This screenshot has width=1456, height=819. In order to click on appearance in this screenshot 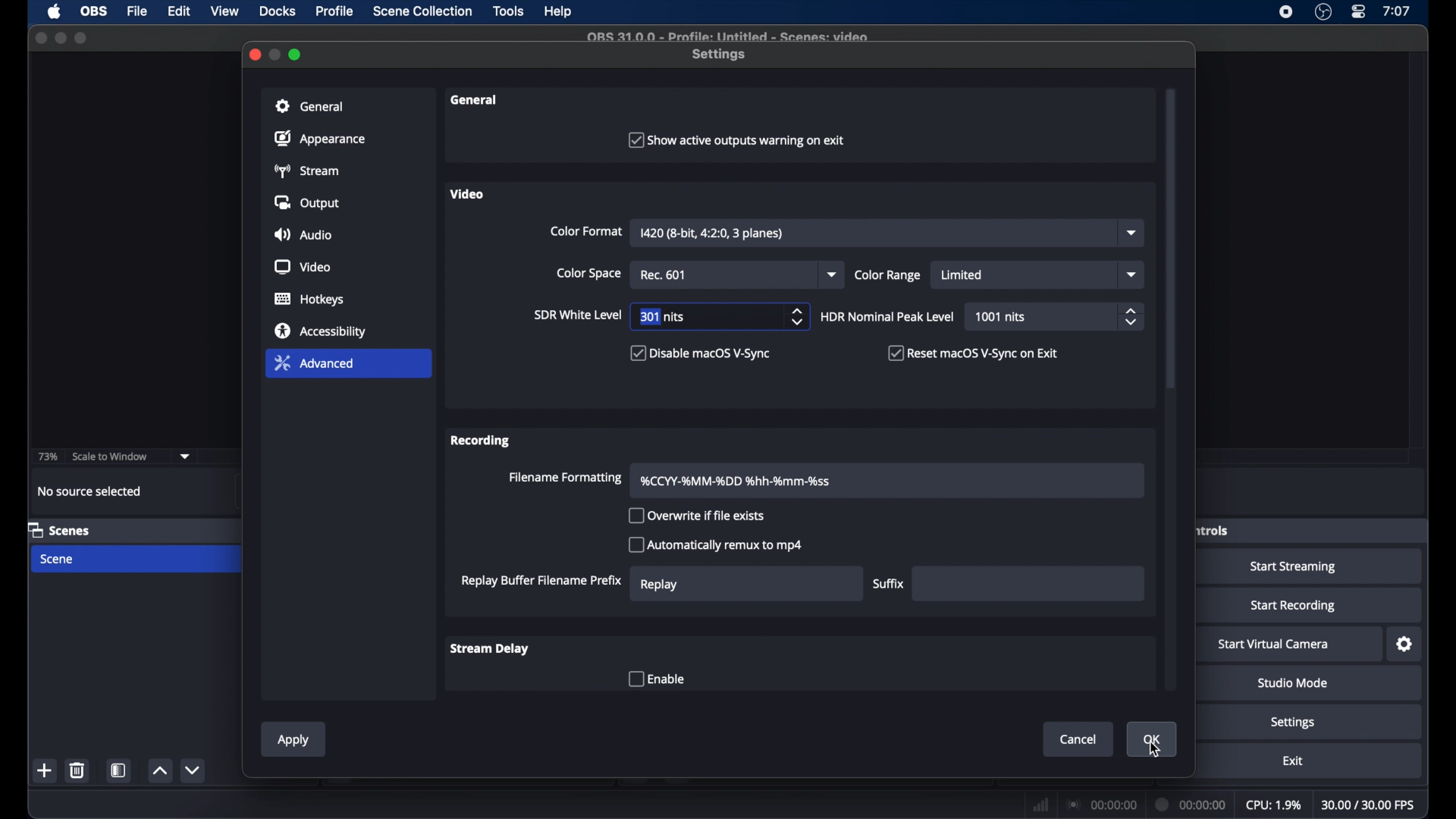, I will do `click(322, 138)`.